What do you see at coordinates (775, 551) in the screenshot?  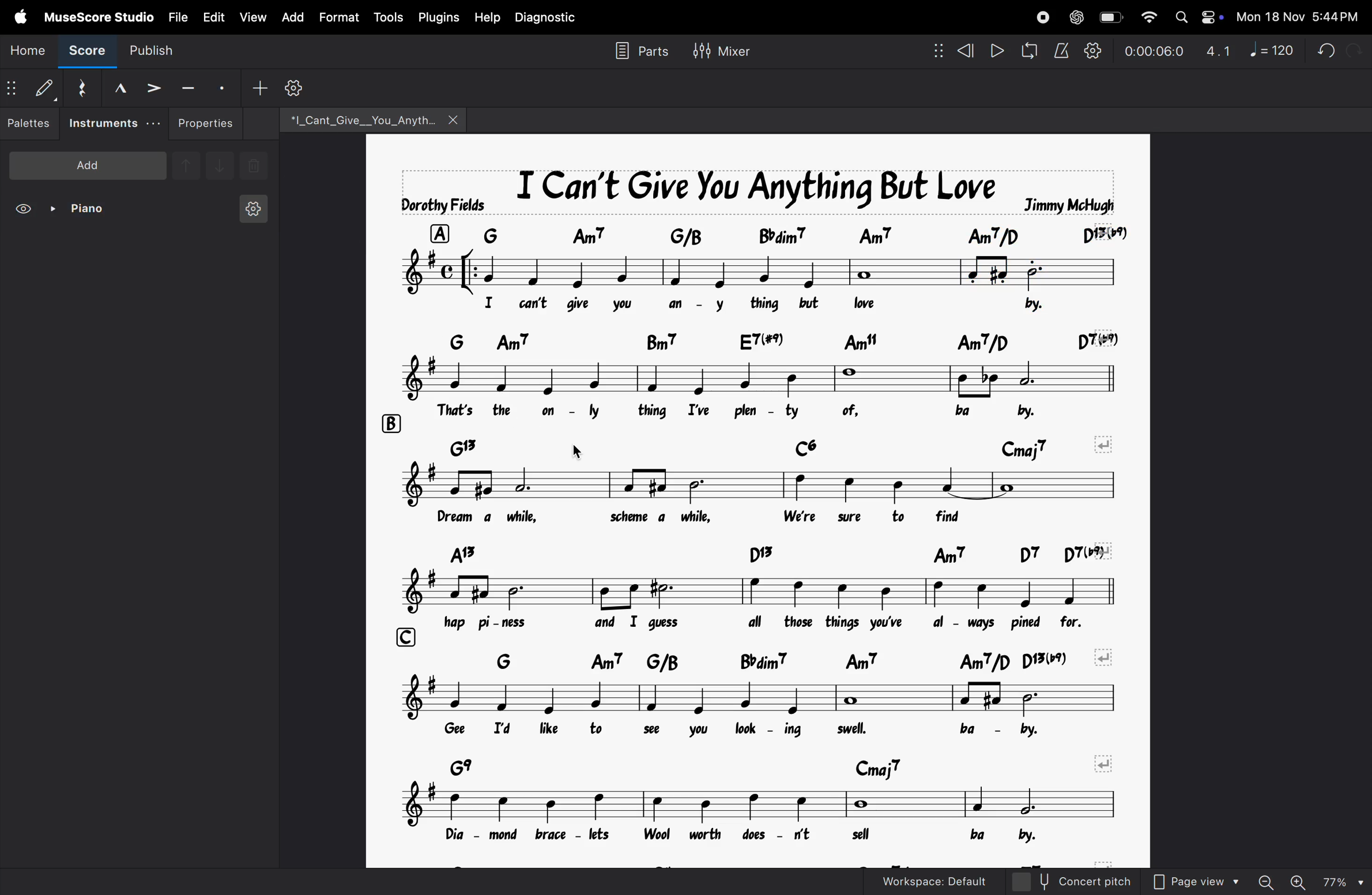 I see `chord symbol` at bounding box center [775, 551].